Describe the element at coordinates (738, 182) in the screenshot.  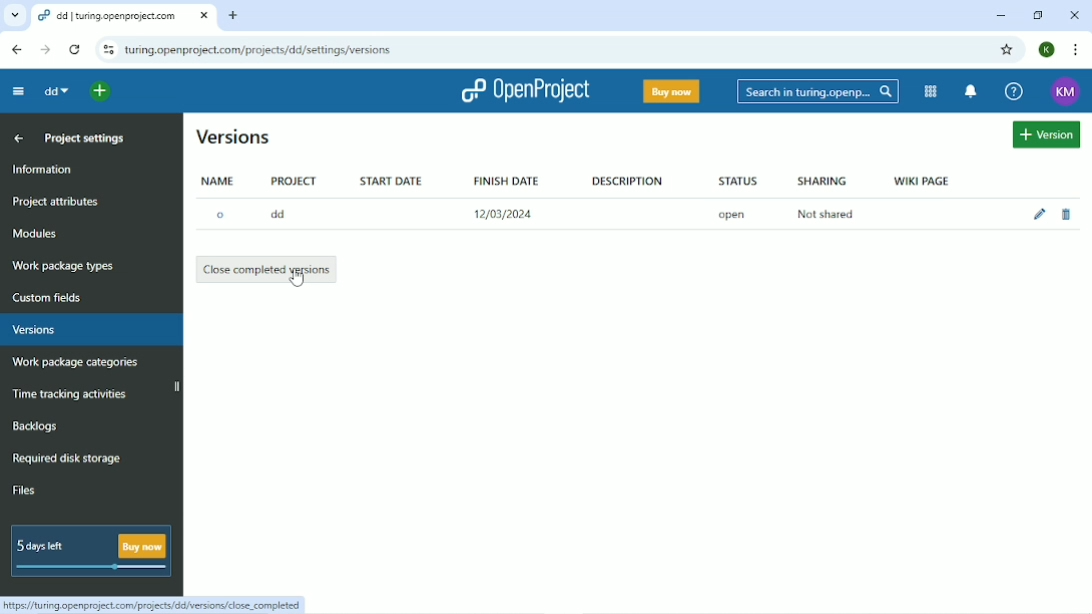
I see `Status` at that location.